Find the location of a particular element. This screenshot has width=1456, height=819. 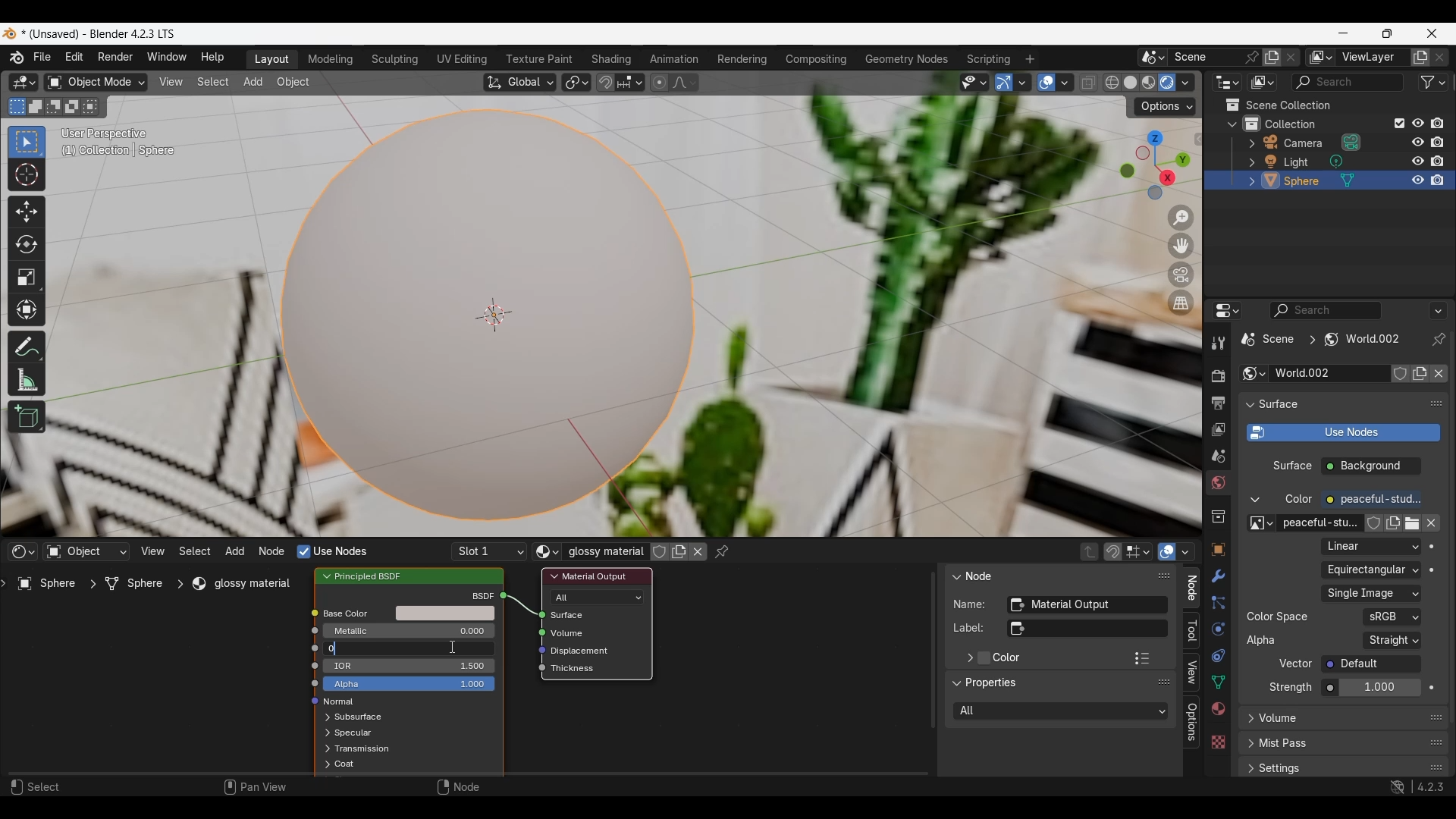

Active tool and workspace settings is located at coordinates (1216, 343).